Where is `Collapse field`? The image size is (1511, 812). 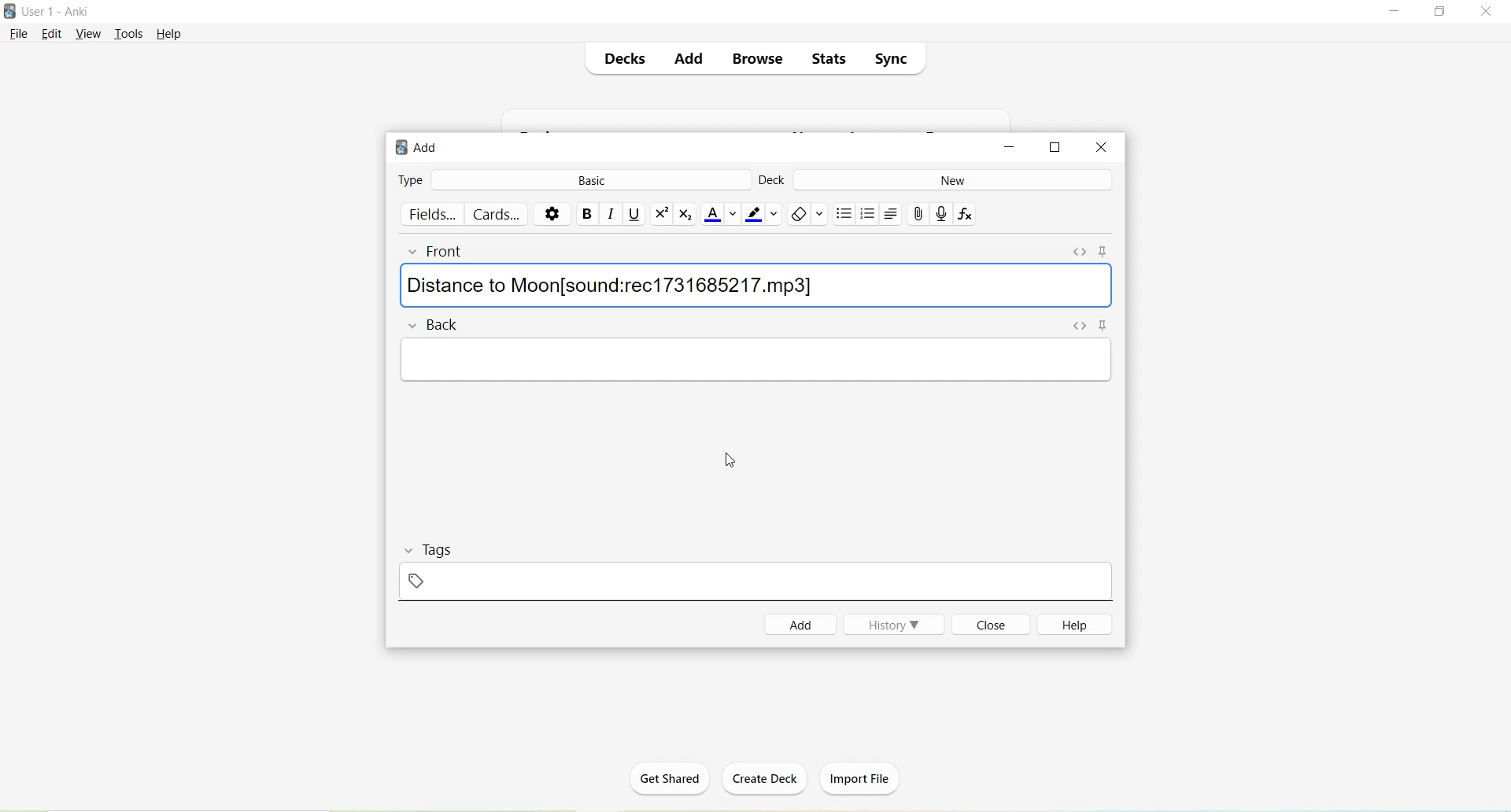
Collapse field is located at coordinates (416, 253).